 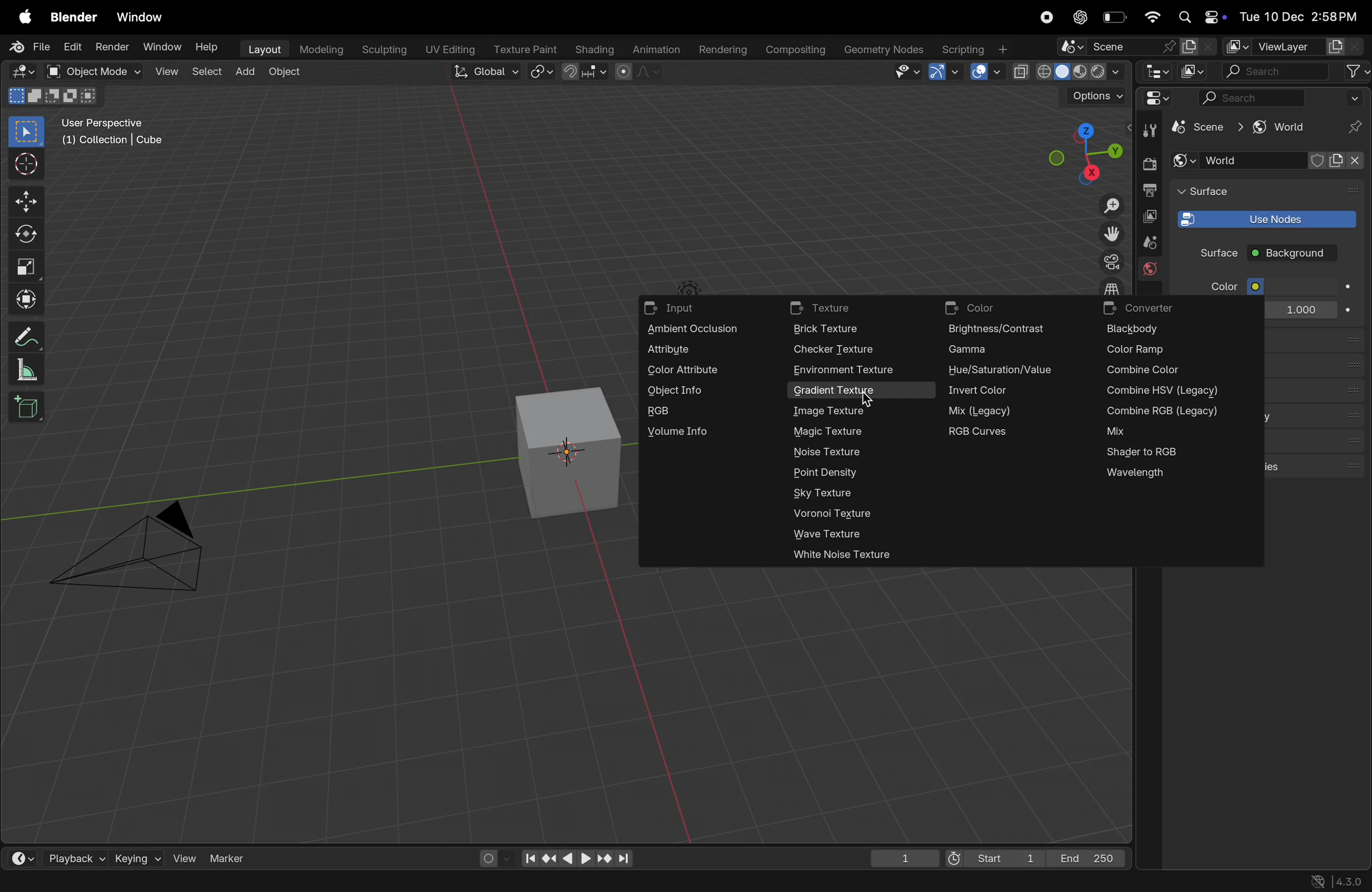 I want to click on Animation, so click(x=654, y=51).